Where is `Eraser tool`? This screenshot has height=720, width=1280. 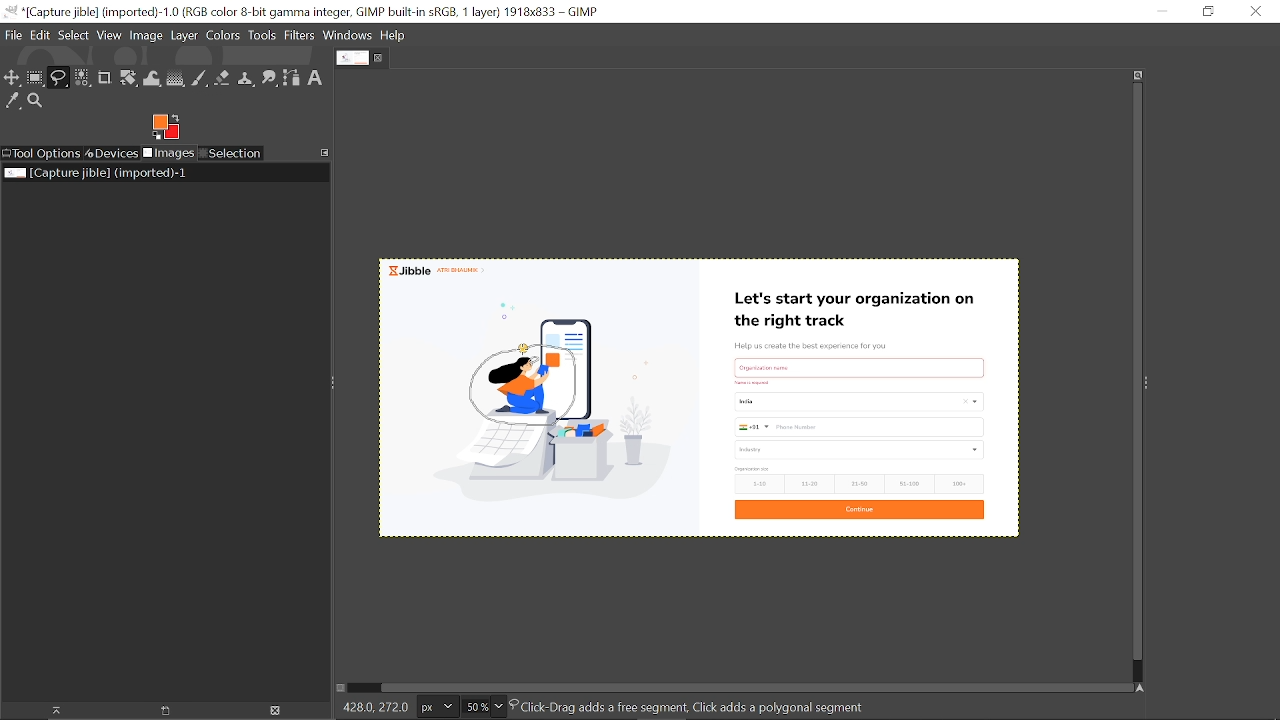 Eraser tool is located at coordinates (222, 78).